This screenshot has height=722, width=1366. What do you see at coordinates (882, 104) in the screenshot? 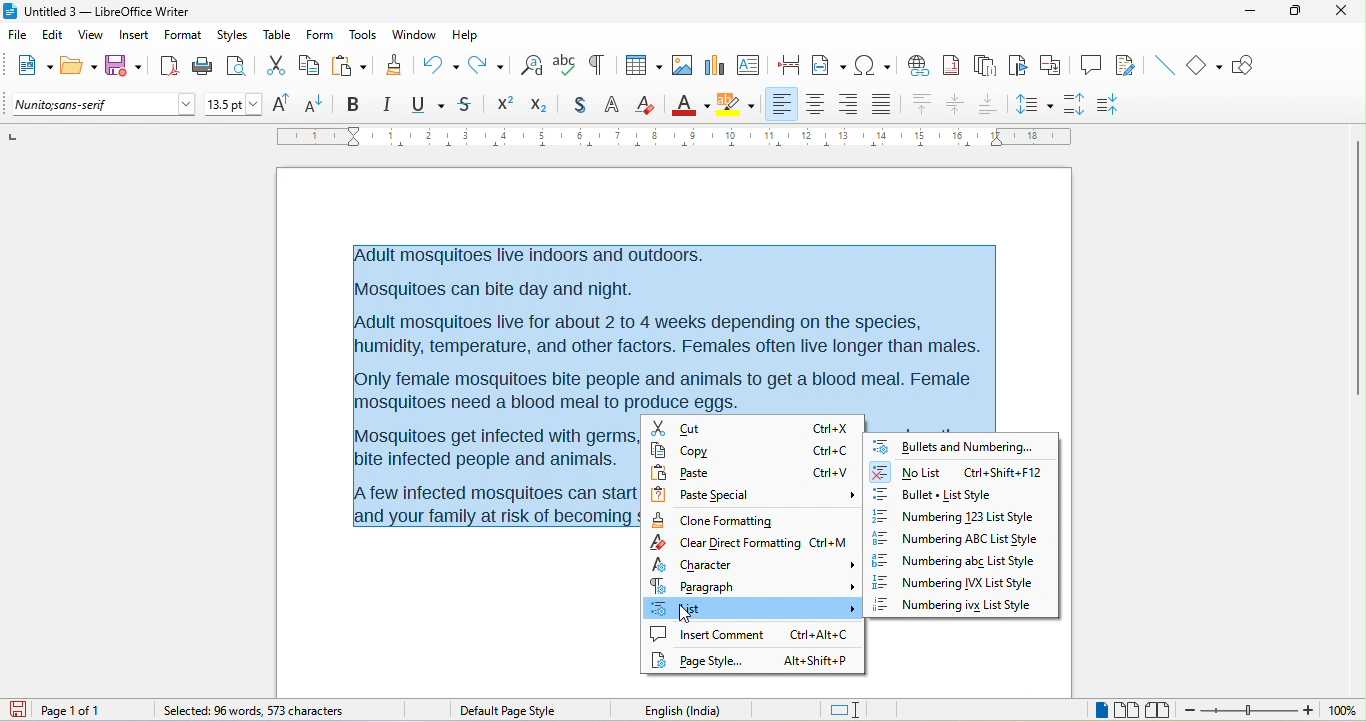
I see `justified` at bounding box center [882, 104].